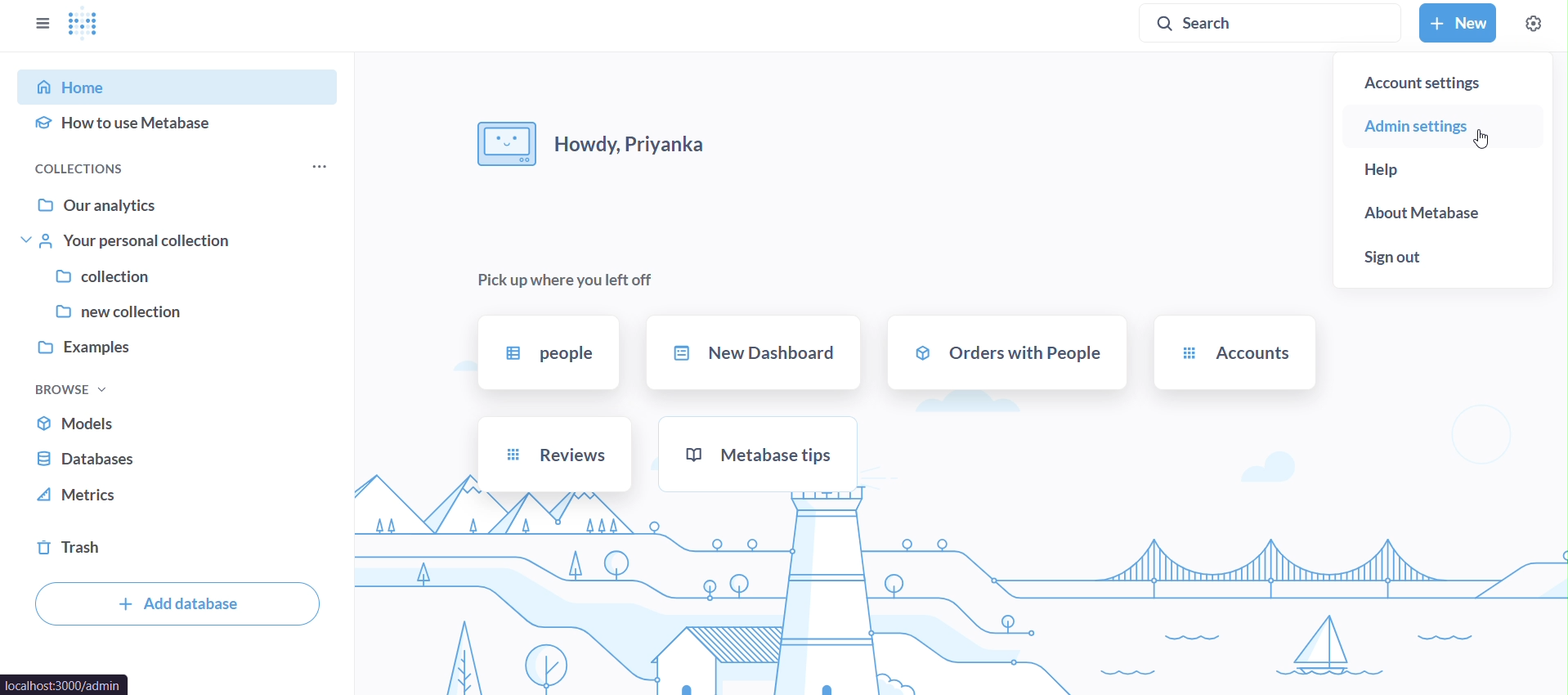 This screenshot has width=1568, height=695. Describe the element at coordinates (553, 455) in the screenshot. I see `reviews` at that location.